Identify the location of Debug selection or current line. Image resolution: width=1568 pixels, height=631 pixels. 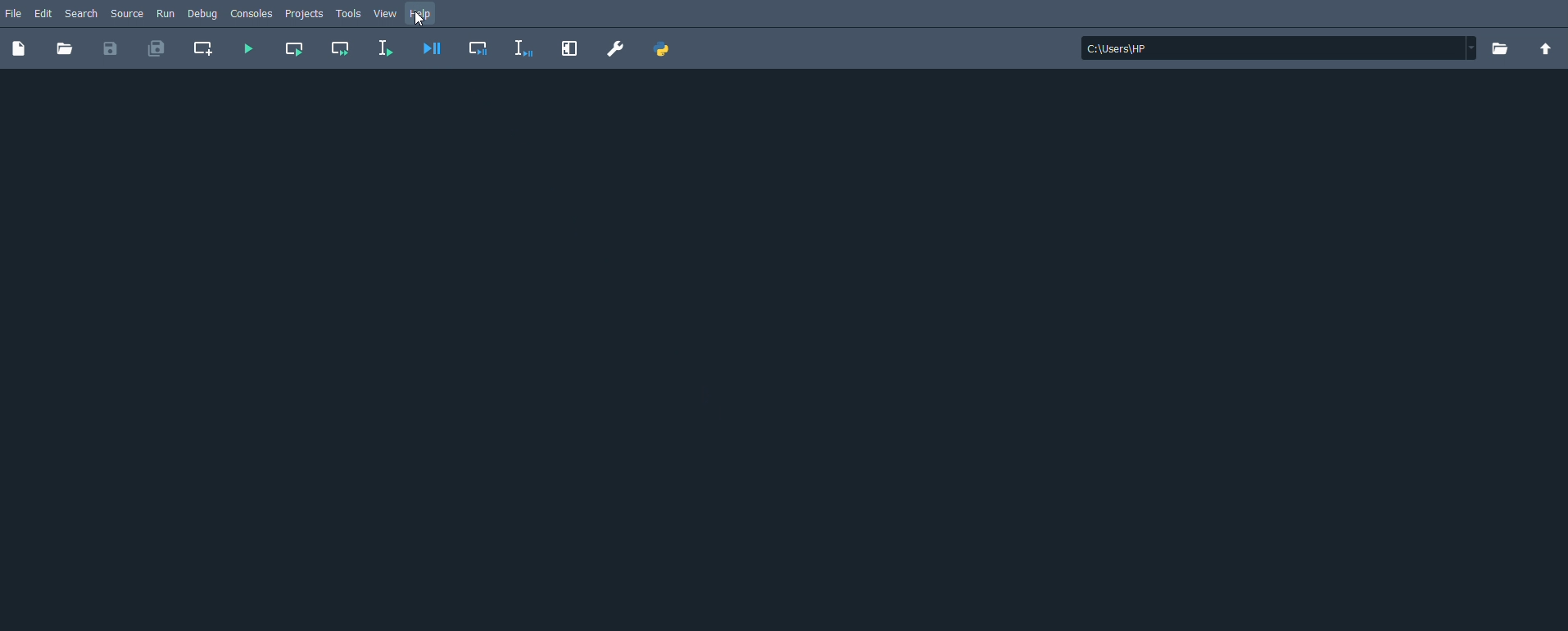
(521, 48).